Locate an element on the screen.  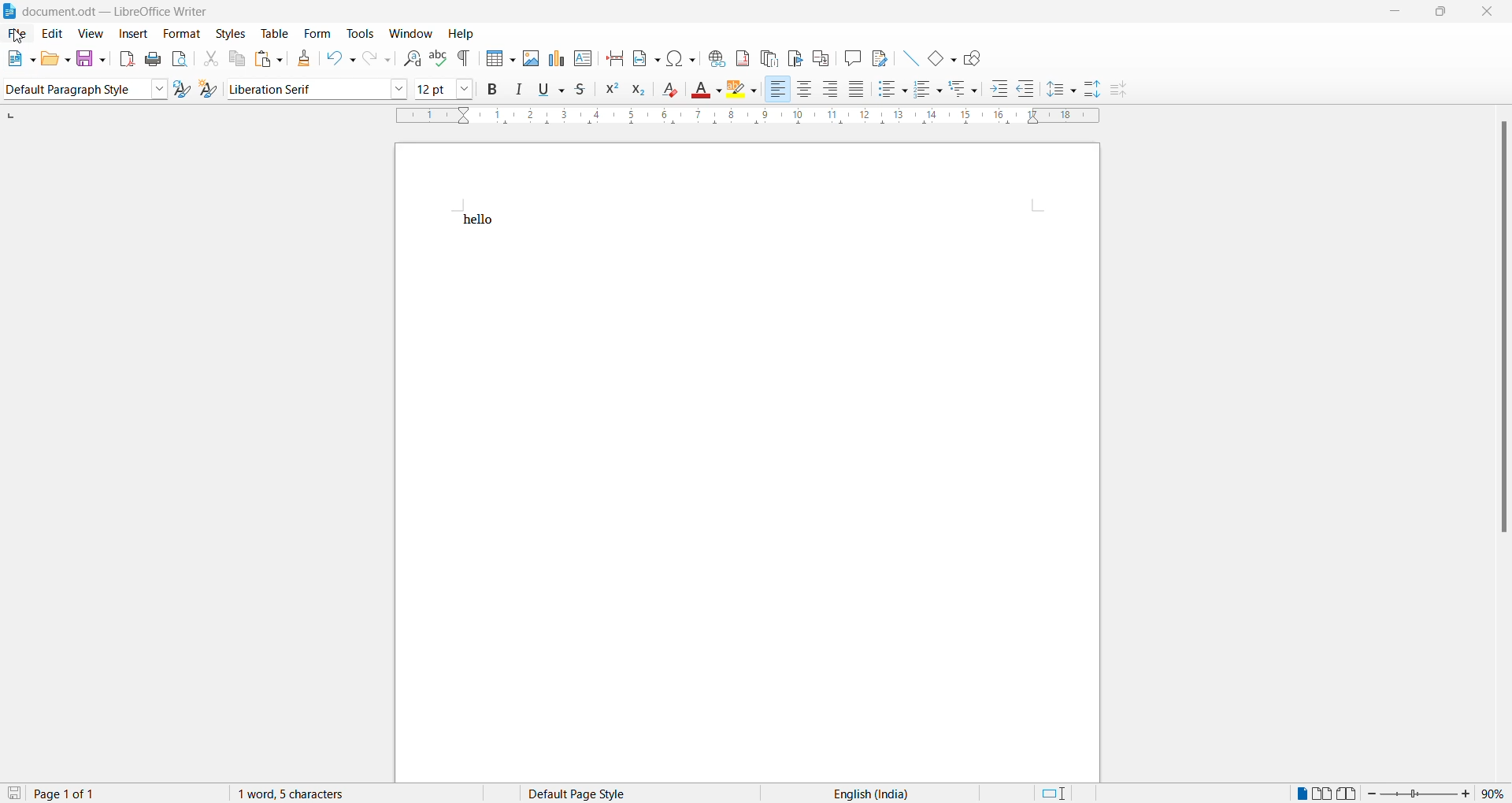
Insert text is located at coordinates (583, 59).